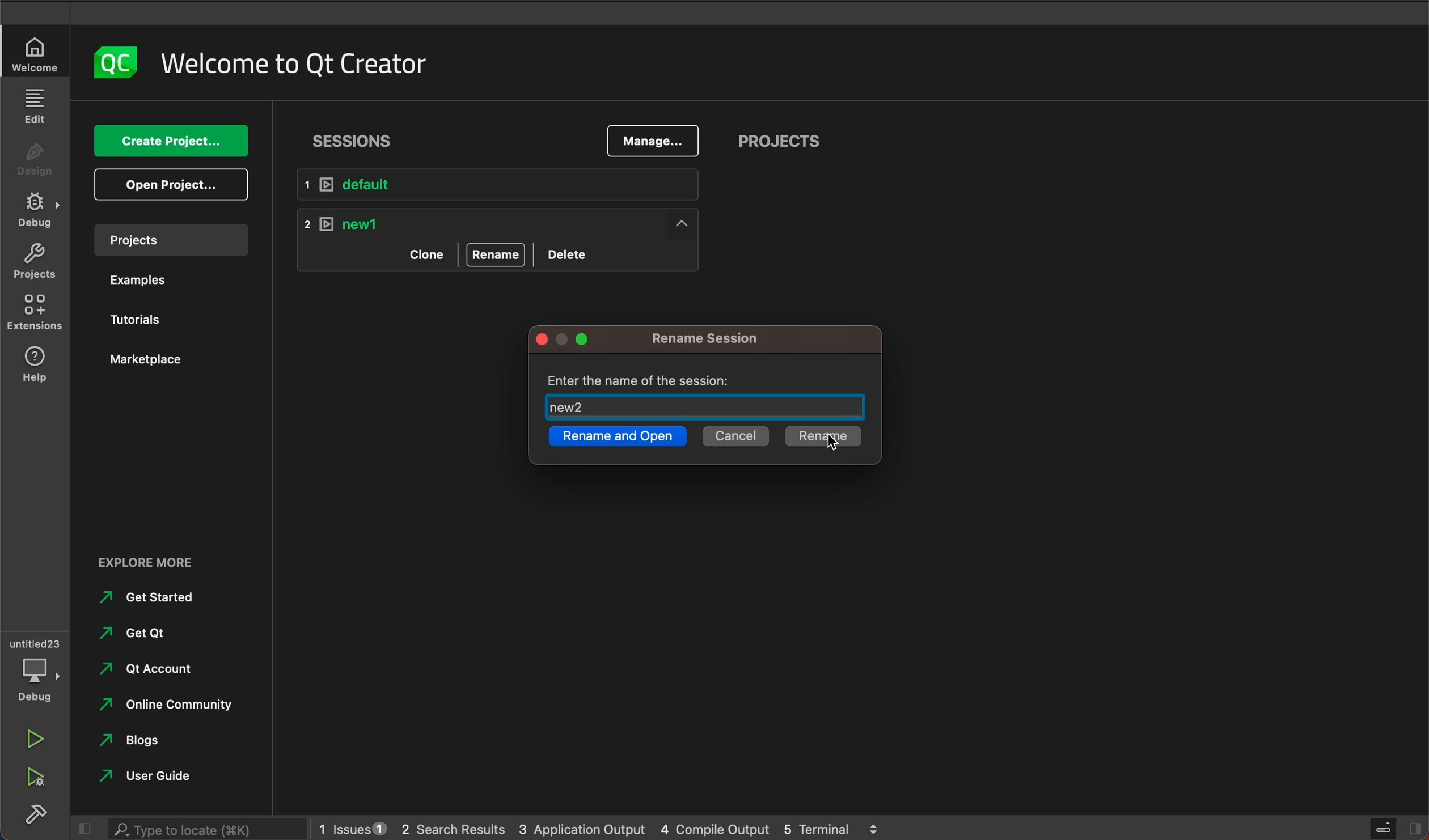 The width and height of the screenshot is (1429, 840). What do you see at coordinates (36, 214) in the screenshot?
I see `debug` at bounding box center [36, 214].